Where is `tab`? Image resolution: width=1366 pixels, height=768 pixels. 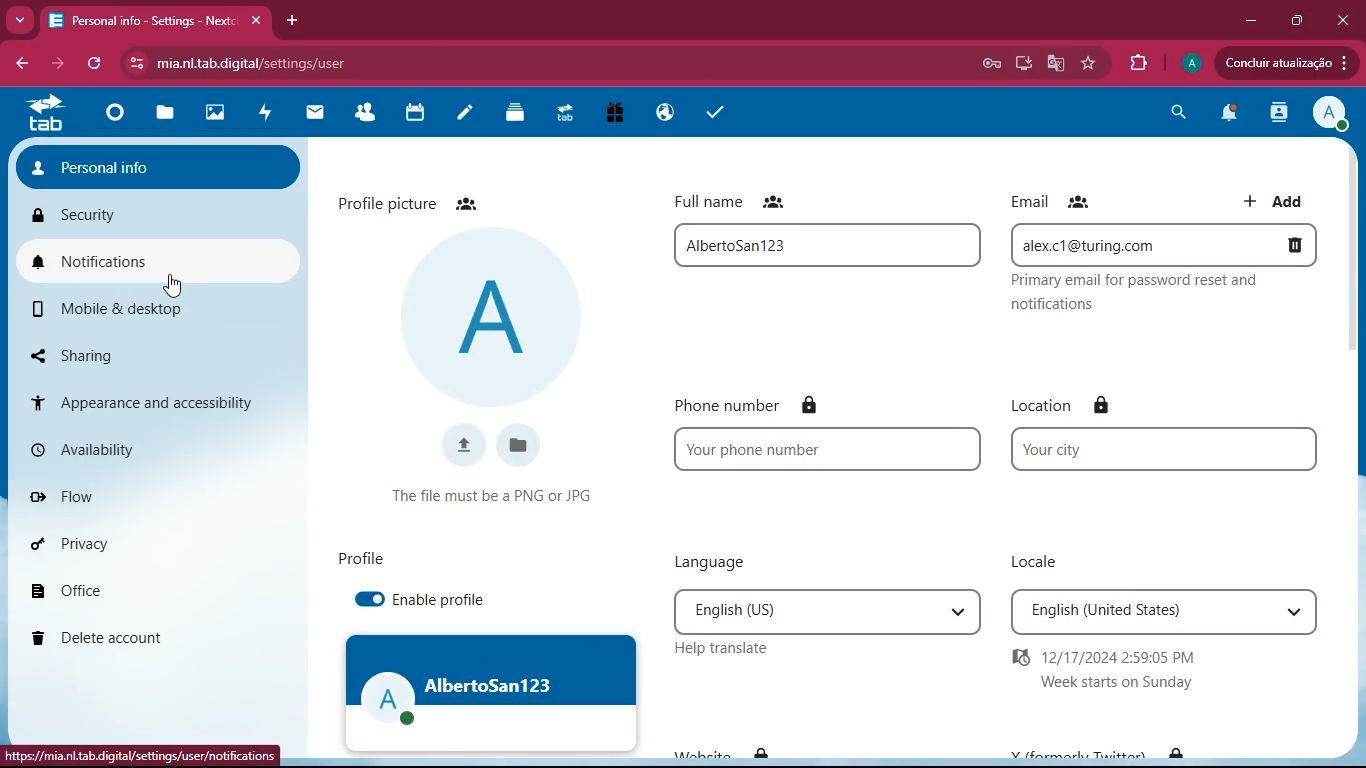 tab is located at coordinates (561, 113).